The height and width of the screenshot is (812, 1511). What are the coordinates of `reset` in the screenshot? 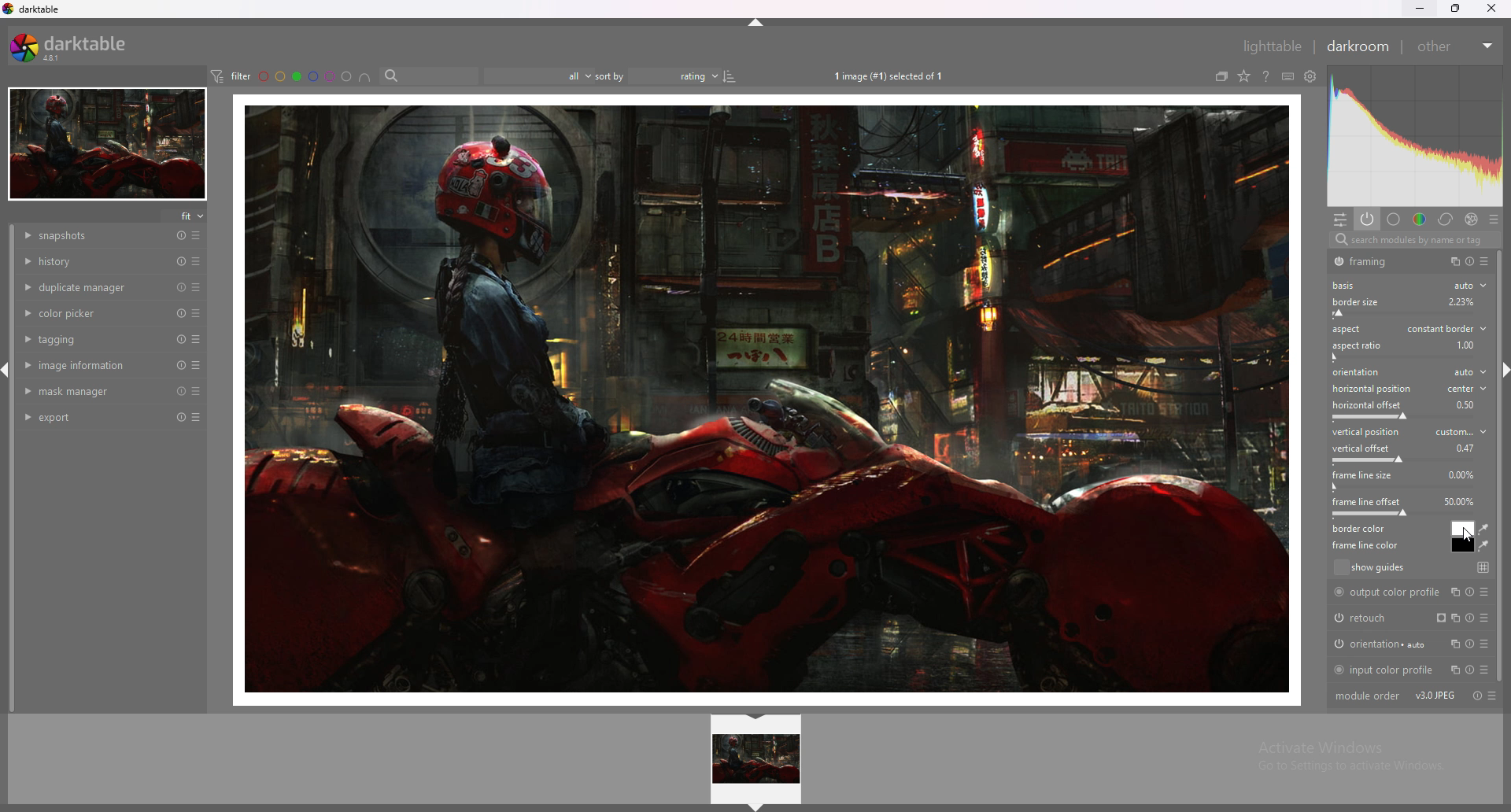 It's located at (179, 261).